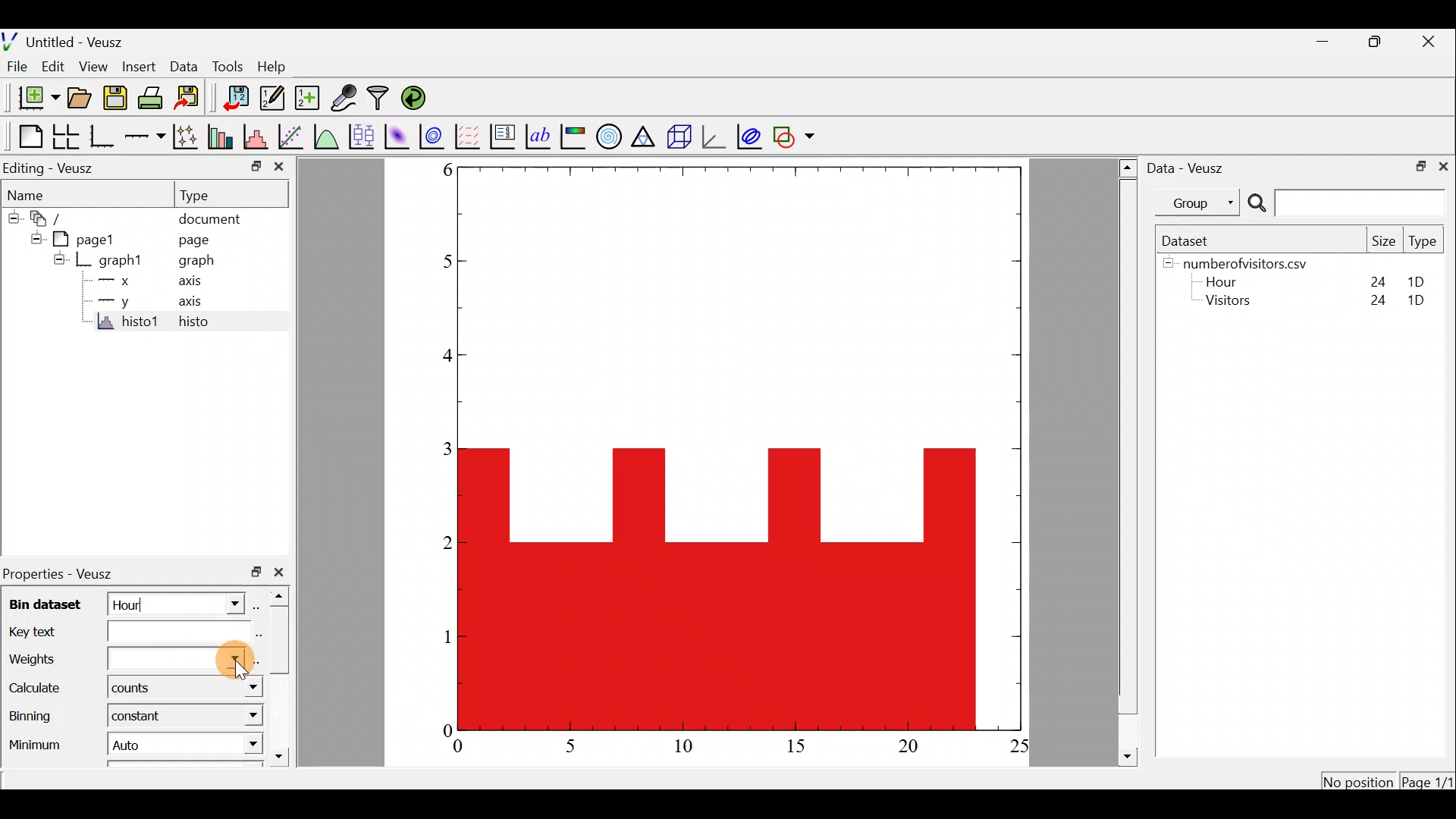 Image resolution: width=1456 pixels, height=819 pixels. What do you see at coordinates (1359, 780) in the screenshot?
I see `No position` at bounding box center [1359, 780].